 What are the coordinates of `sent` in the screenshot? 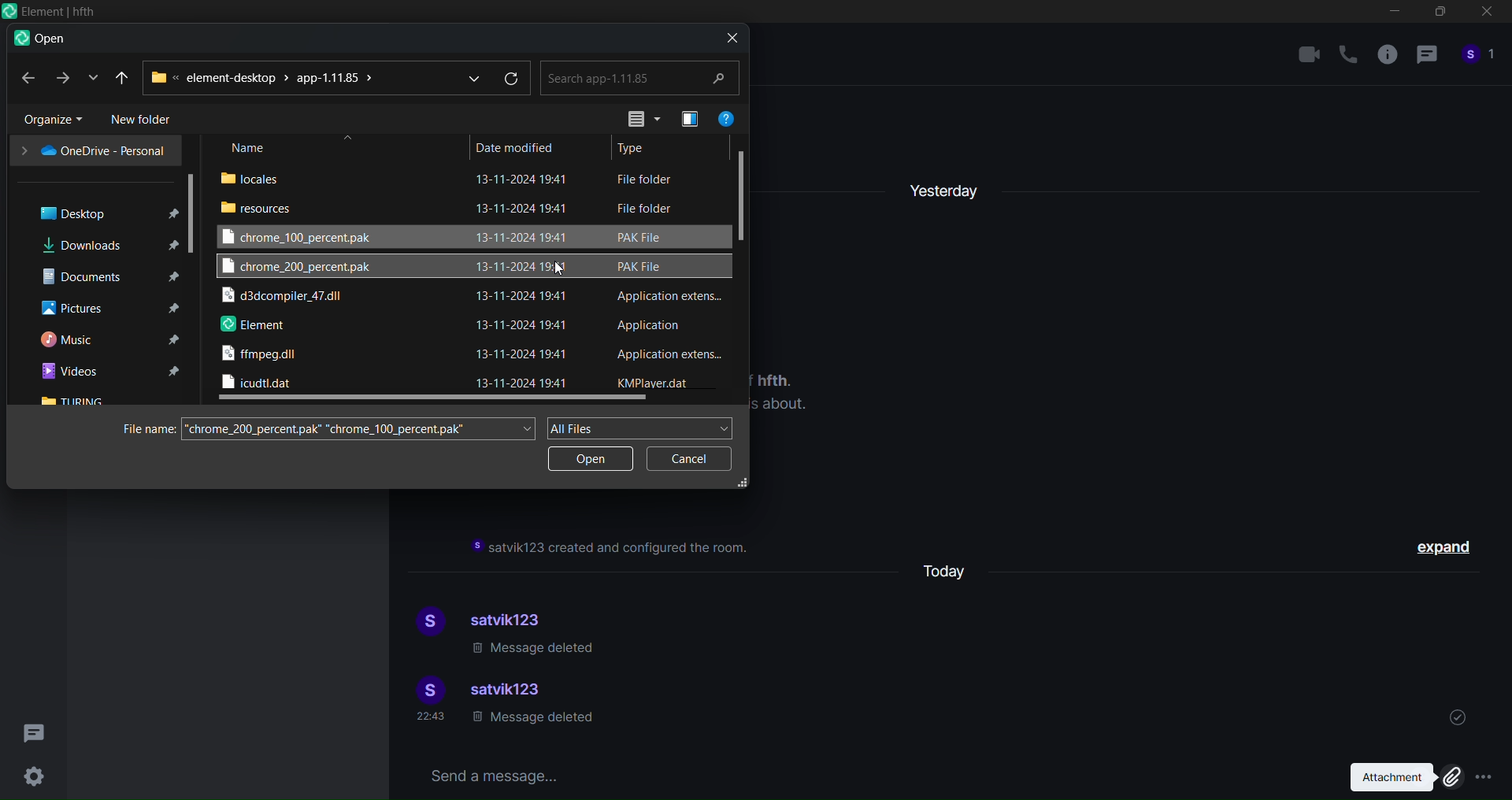 It's located at (1458, 715).